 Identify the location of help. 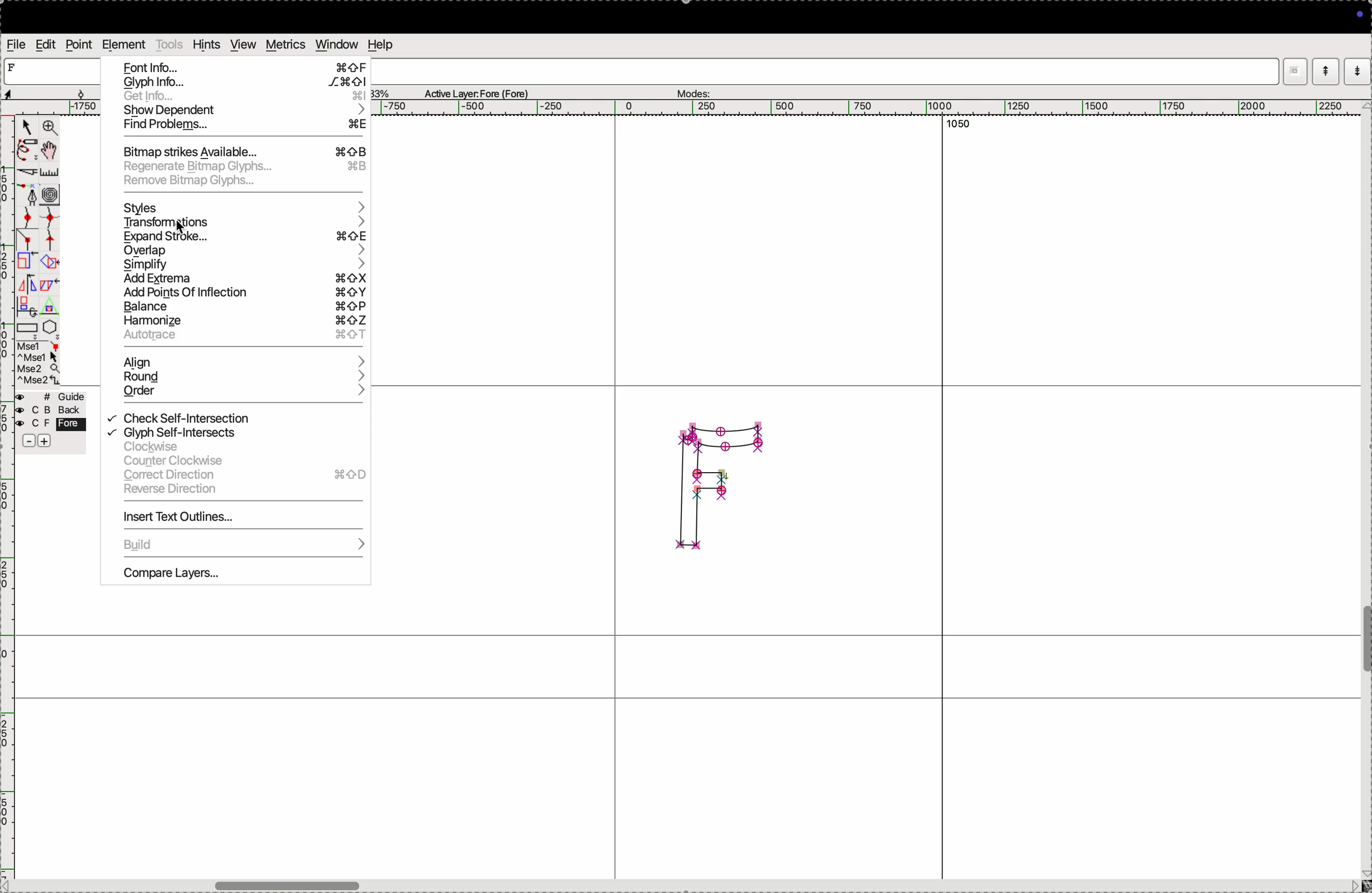
(379, 44).